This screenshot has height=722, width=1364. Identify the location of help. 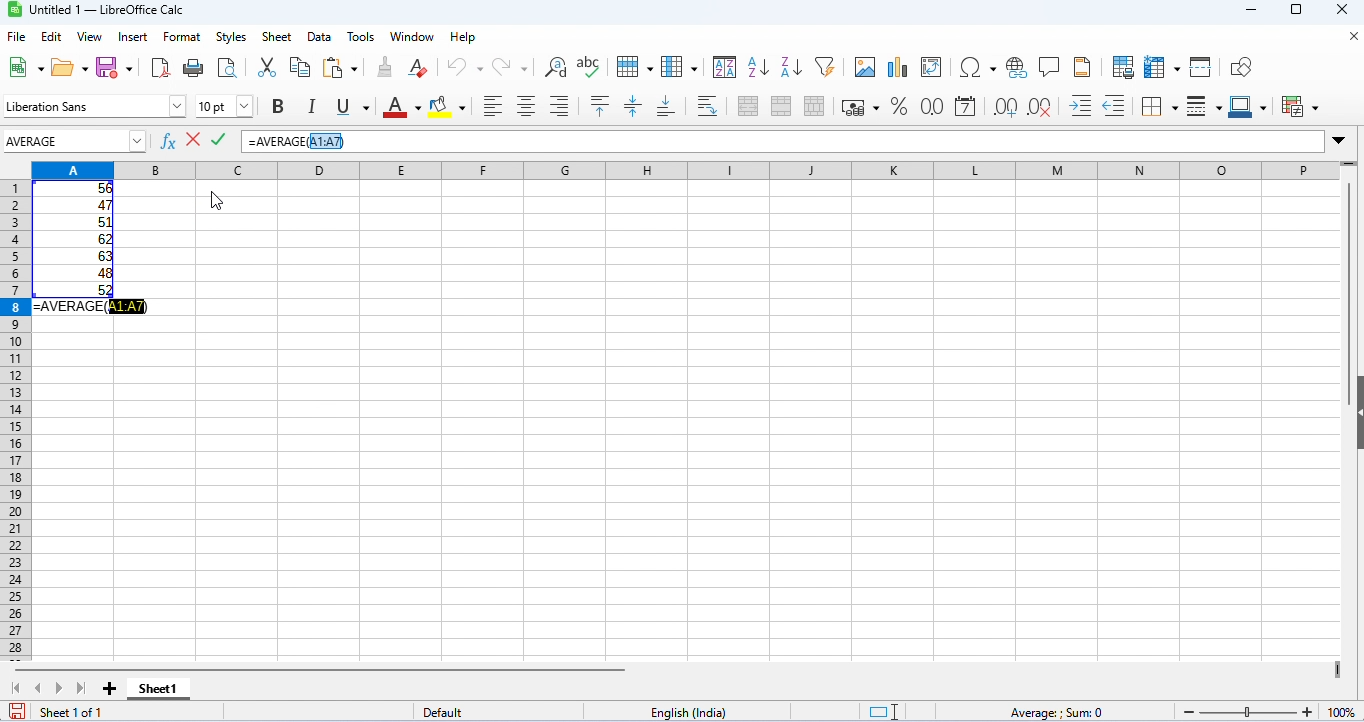
(465, 37).